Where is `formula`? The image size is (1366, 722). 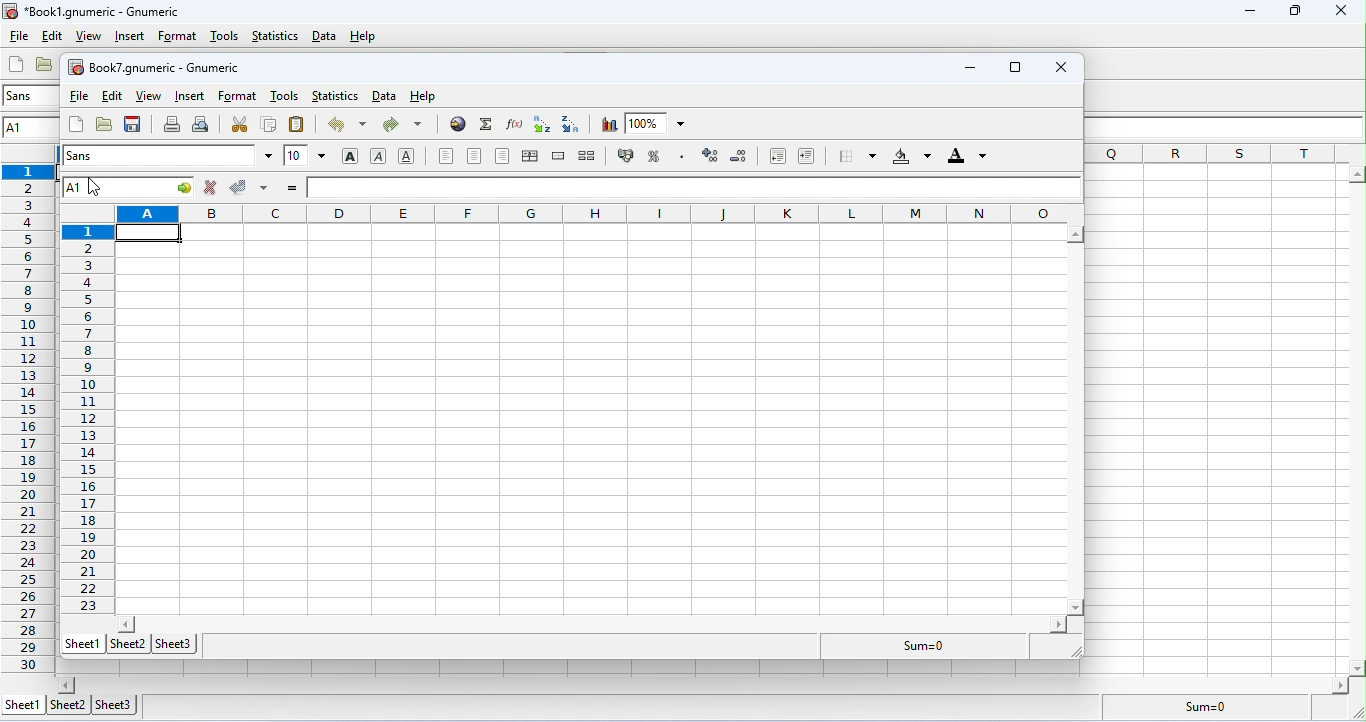 formula is located at coordinates (1202, 705).